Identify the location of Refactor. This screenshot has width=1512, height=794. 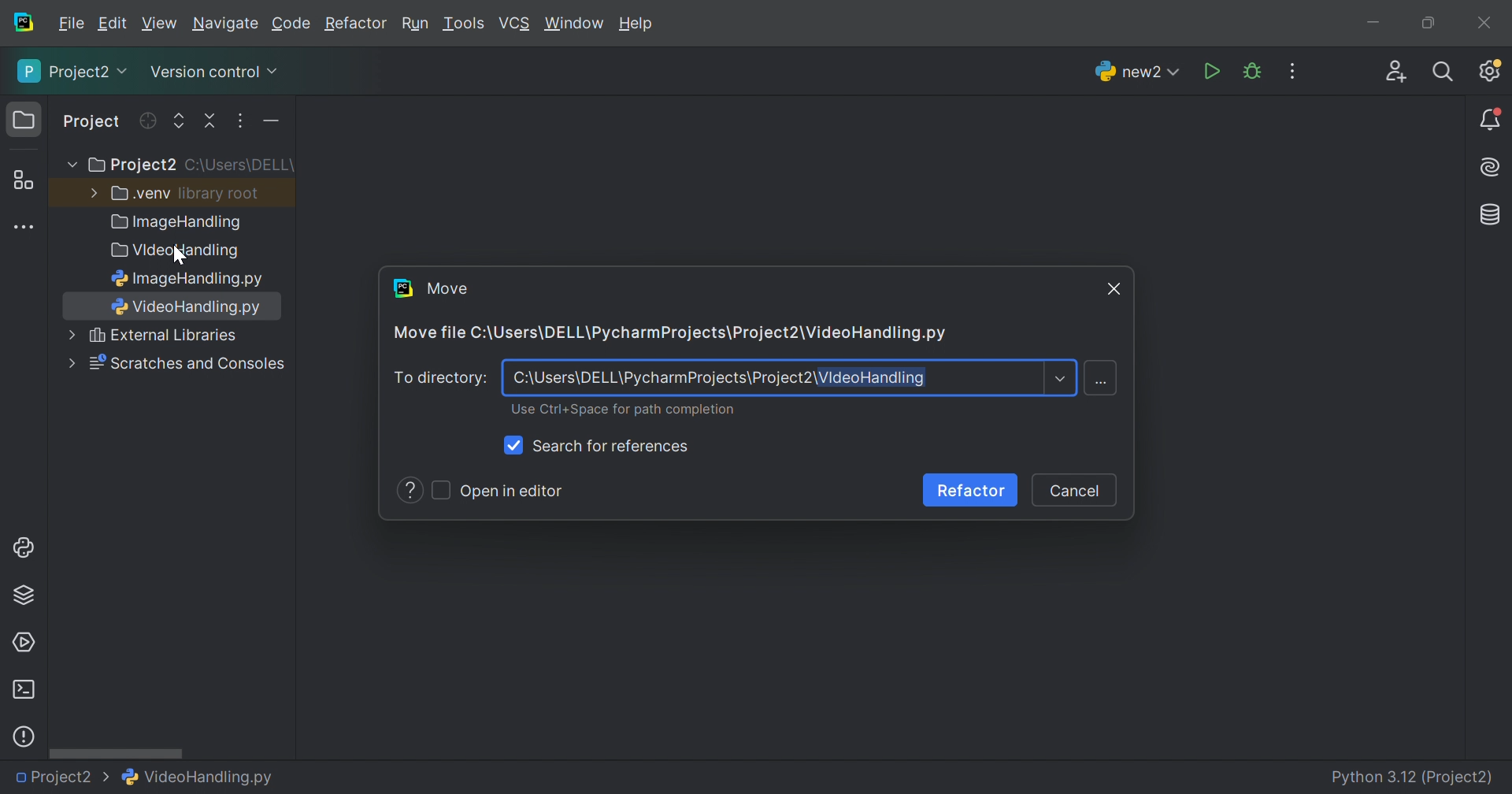
(971, 492).